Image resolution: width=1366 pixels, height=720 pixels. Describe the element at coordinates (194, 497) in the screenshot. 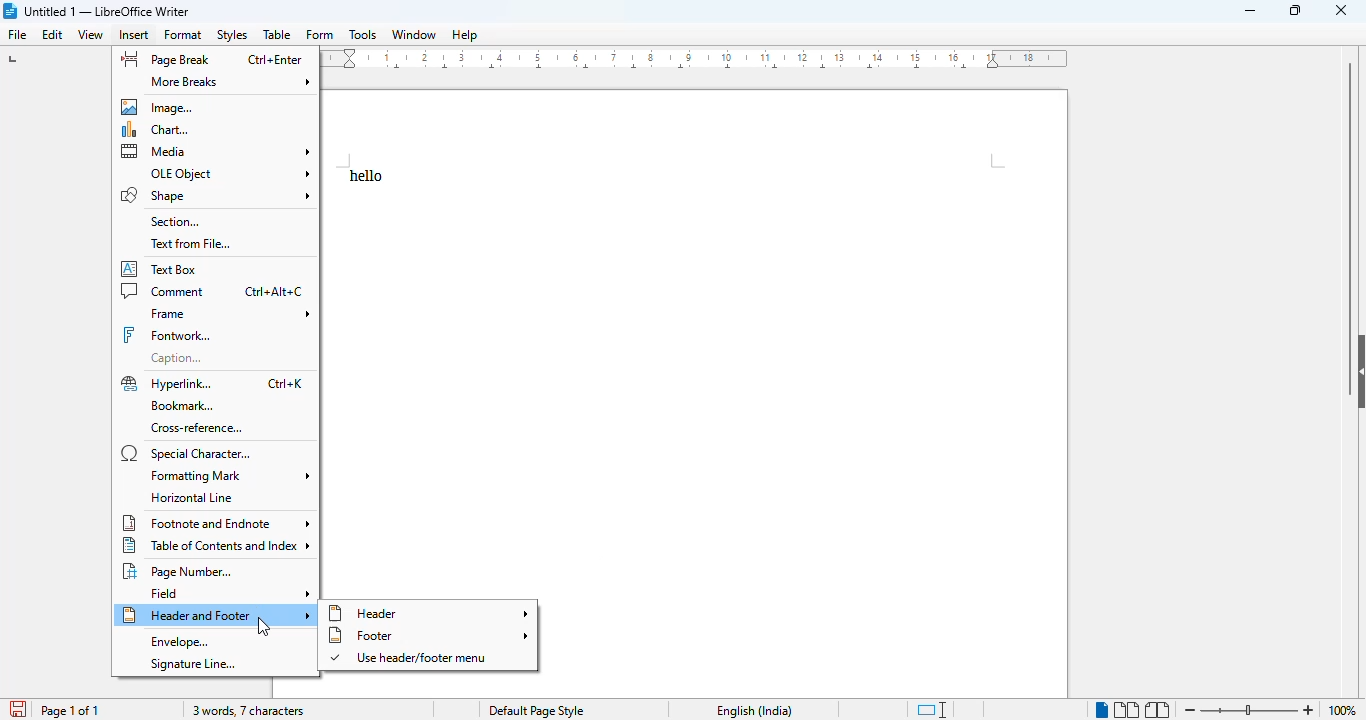

I see `horizontal line` at that location.